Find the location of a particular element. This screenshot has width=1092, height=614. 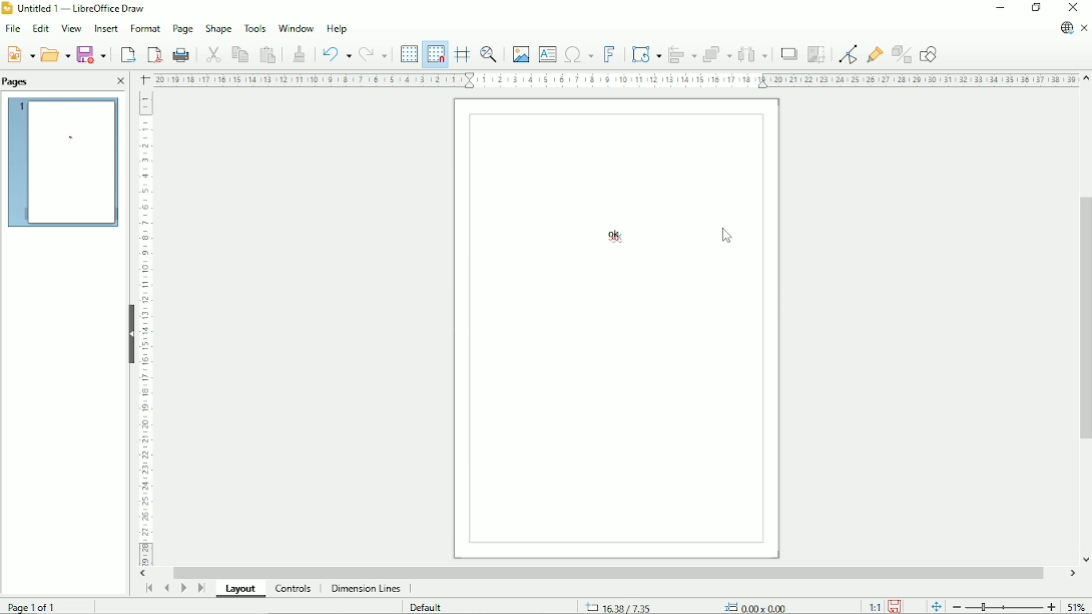

Insert image is located at coordinates (519, 53).